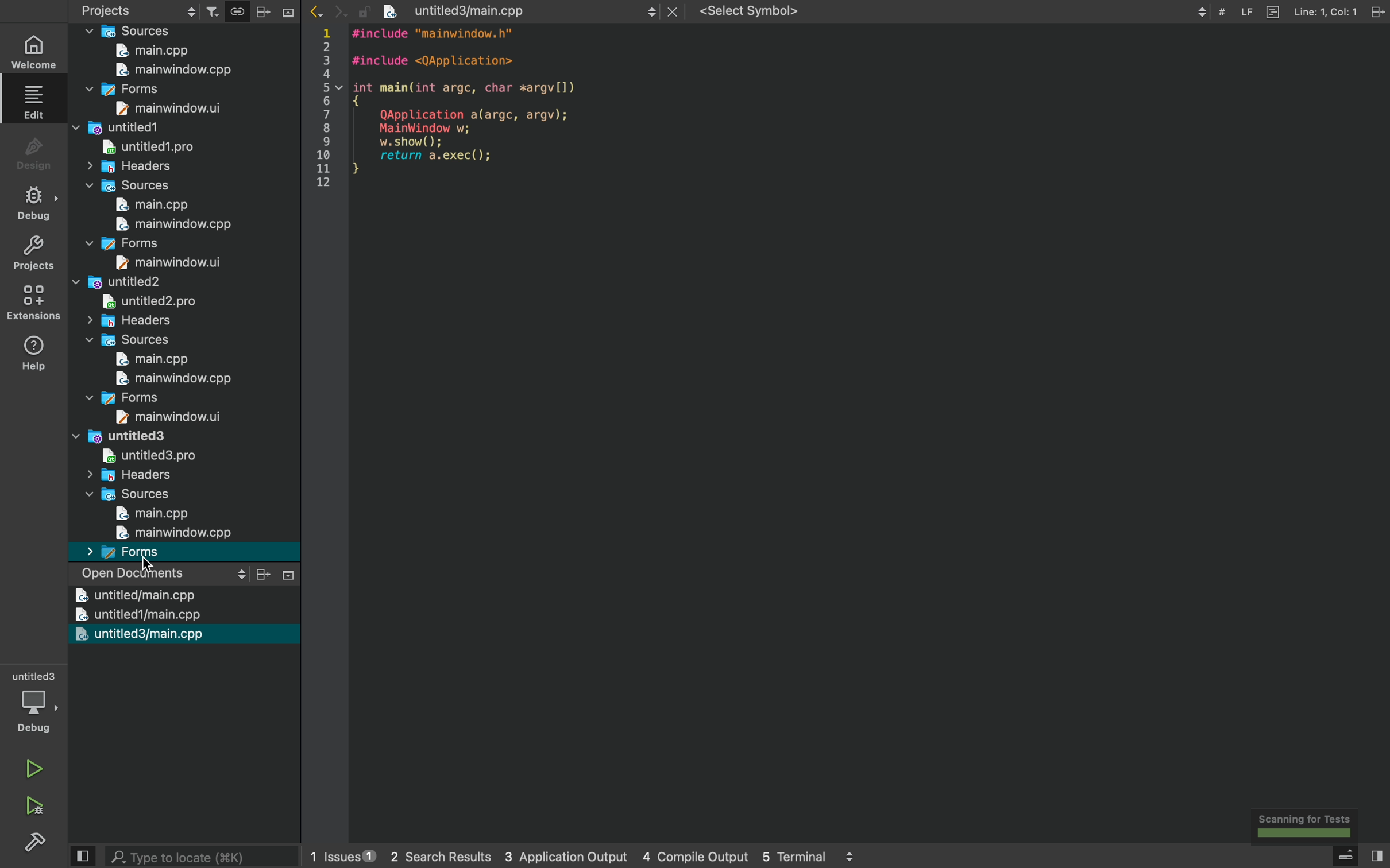 The image size is (1390, 868). Describe the element at coordinates (173, 71) in the screenshot. I see `mainwindow` at that location.